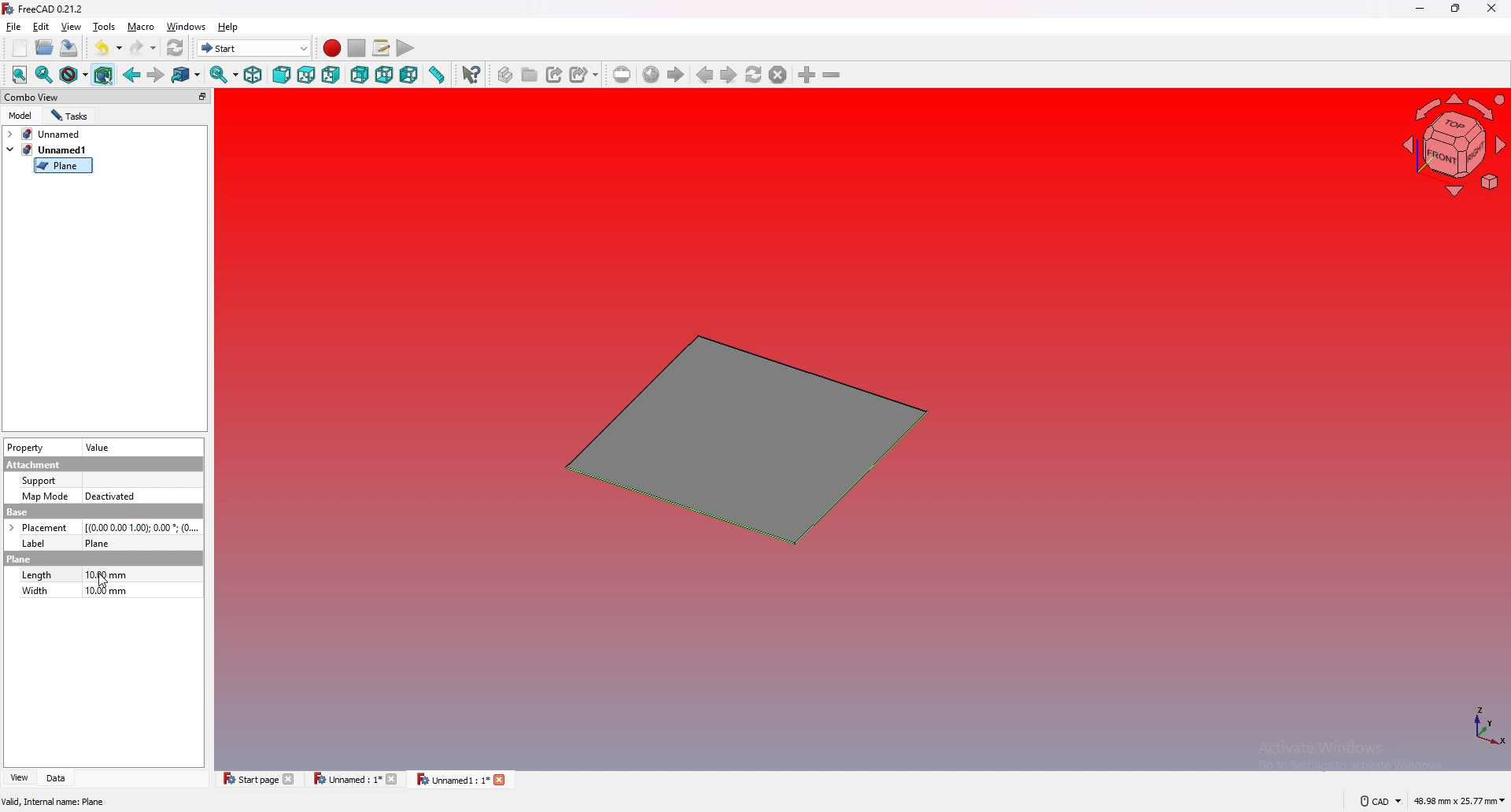 Image resolution: width=1511 pixels, height=812 pixels. Describe the element at coordinates (260, 778) in the screenshot. I see `start page` at that location.